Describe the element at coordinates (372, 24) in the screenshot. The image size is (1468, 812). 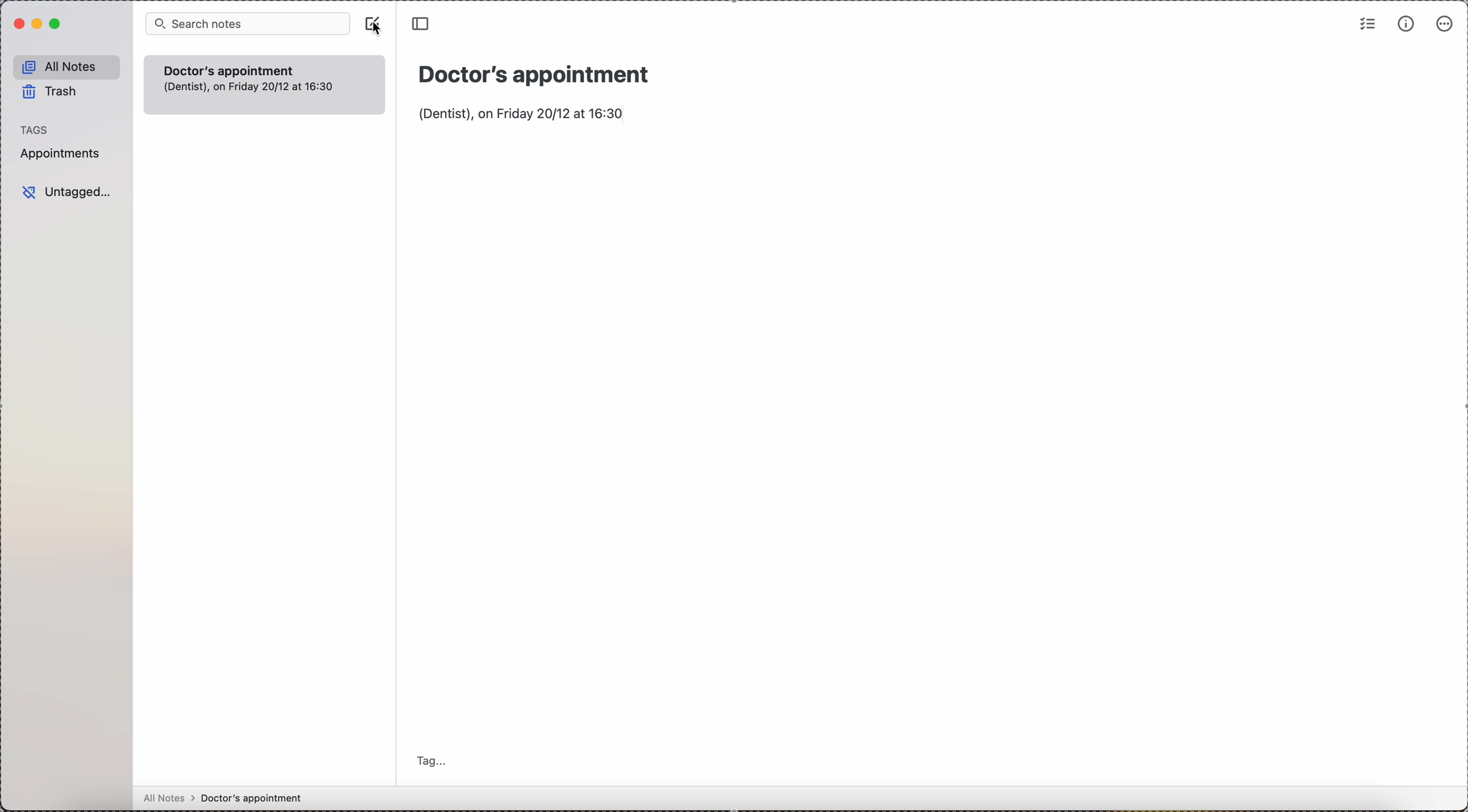
I see `click on create note` at that location.